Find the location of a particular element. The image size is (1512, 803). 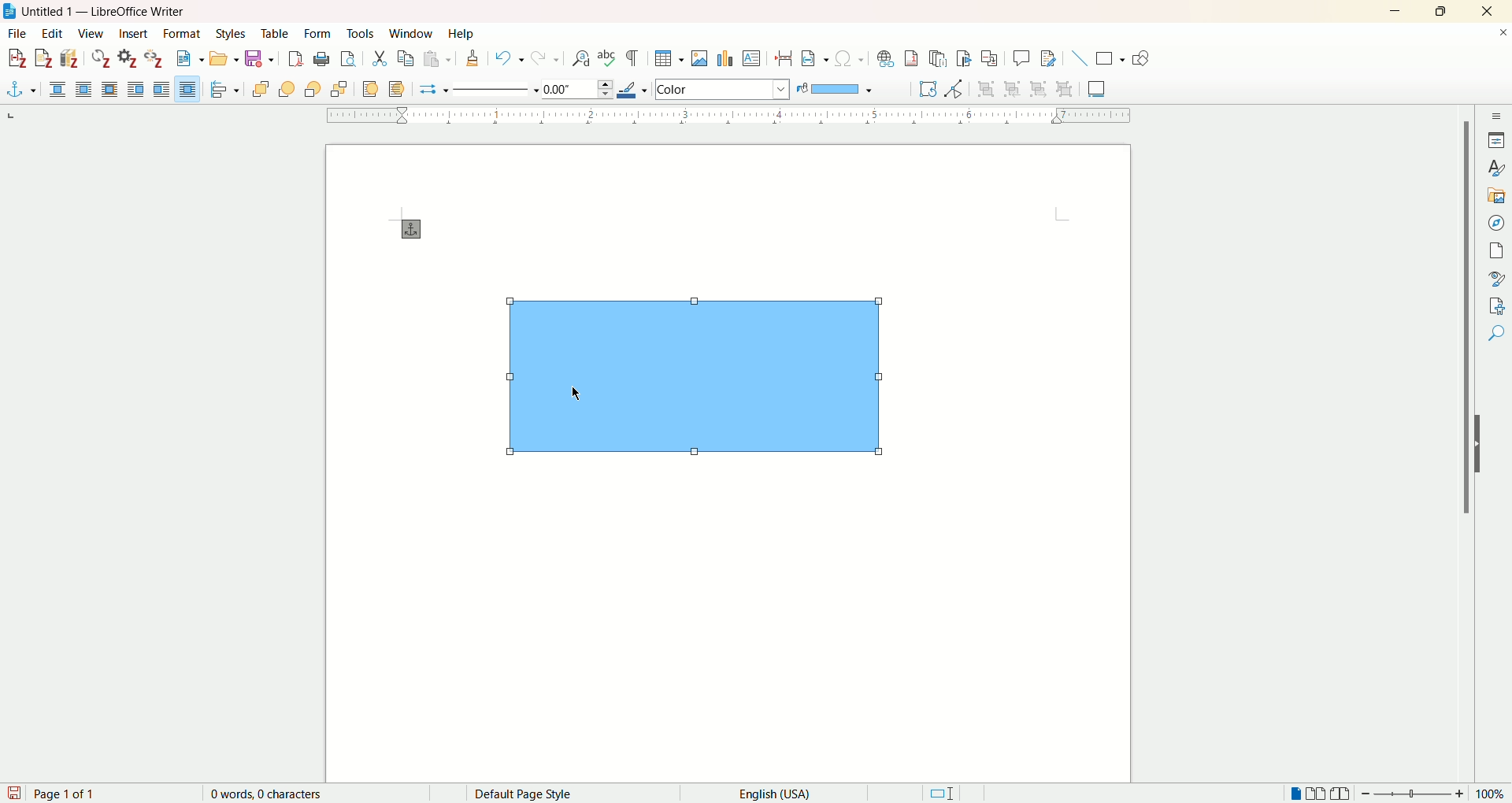

clone formatting is located at coordinates (473, 57).